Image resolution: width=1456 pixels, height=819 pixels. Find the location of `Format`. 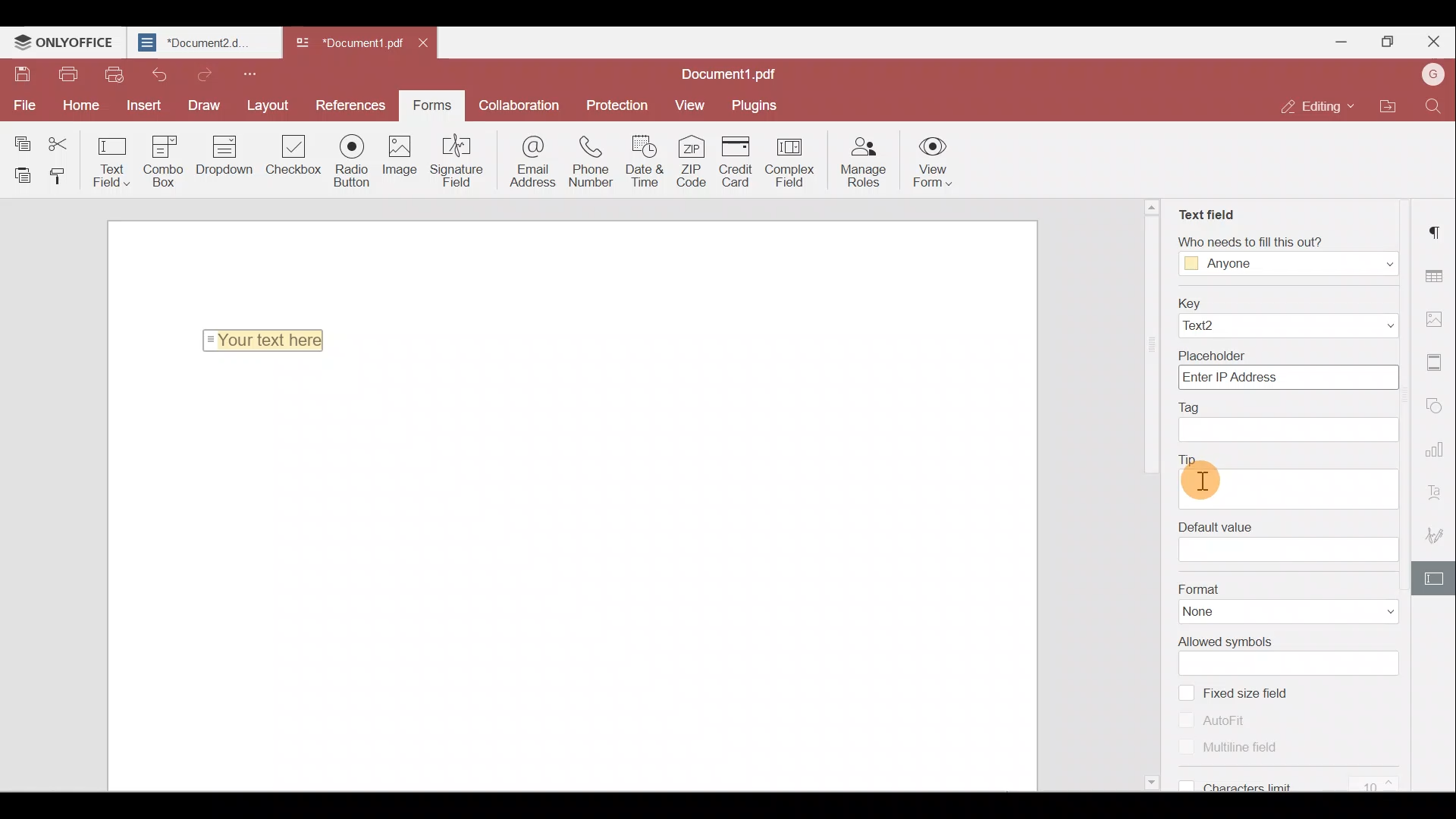

Format is located at coordinates (1288, 588).